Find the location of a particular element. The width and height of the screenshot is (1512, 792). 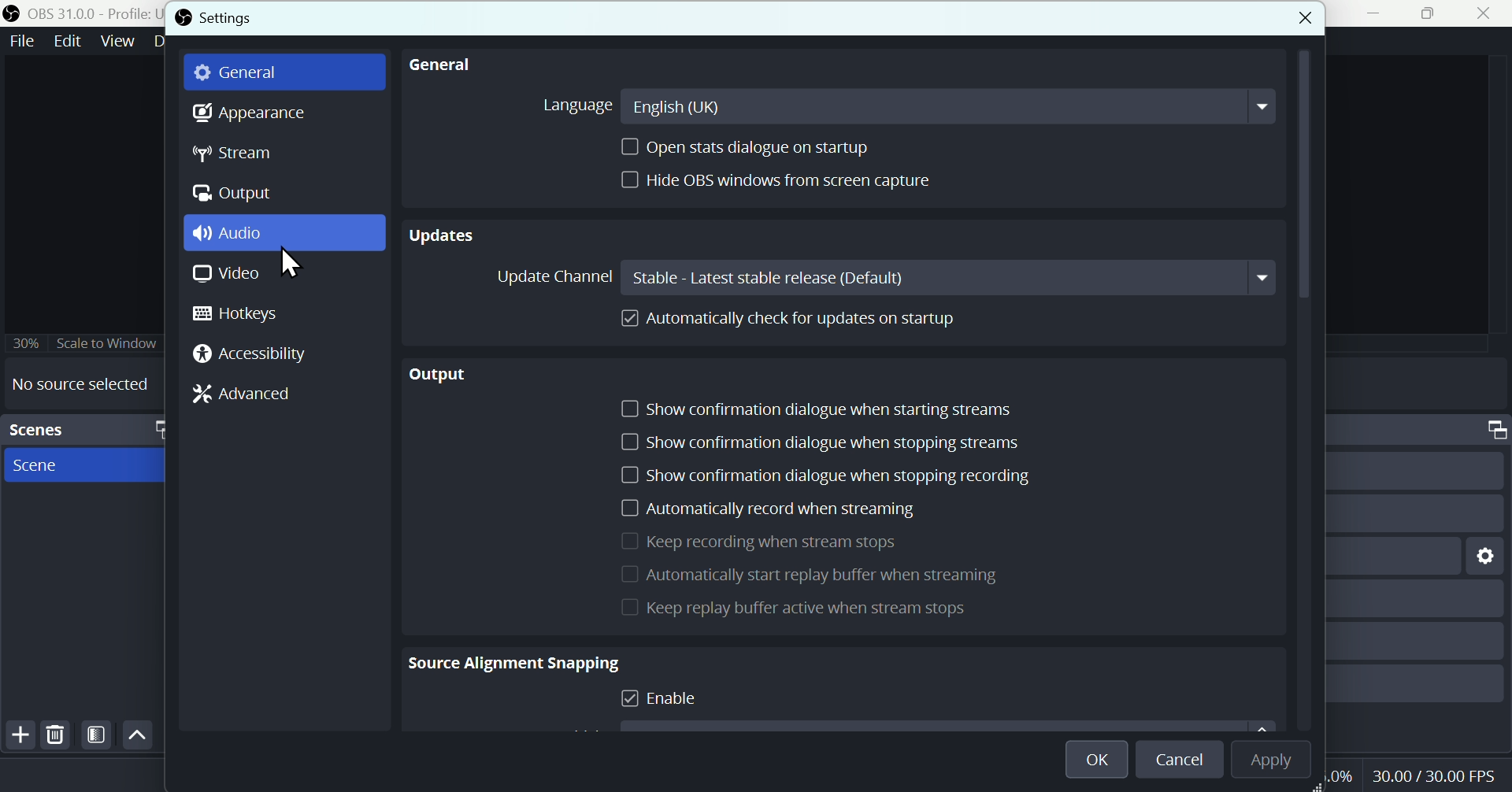

up is located at coordinates (138, 734).